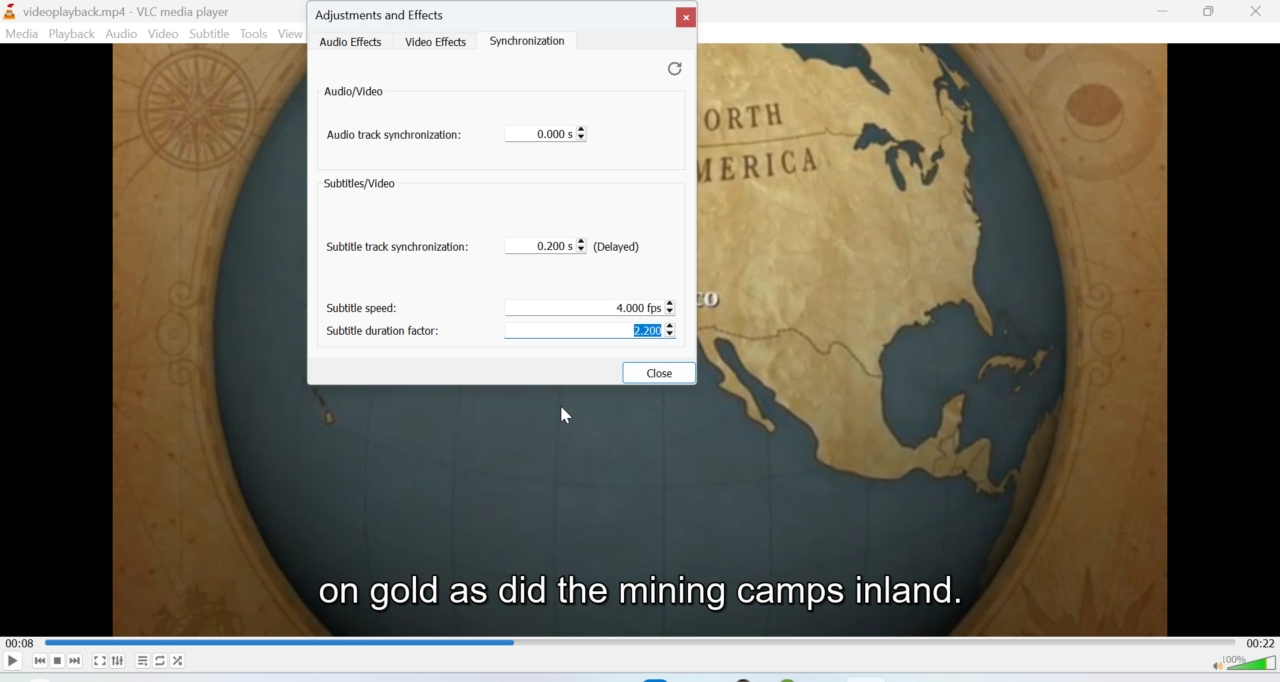 This screenshot has width=1280, height=682. Describe the element at coordinates (76, 661) in the screenshot. I see `Seek forward` at that location.